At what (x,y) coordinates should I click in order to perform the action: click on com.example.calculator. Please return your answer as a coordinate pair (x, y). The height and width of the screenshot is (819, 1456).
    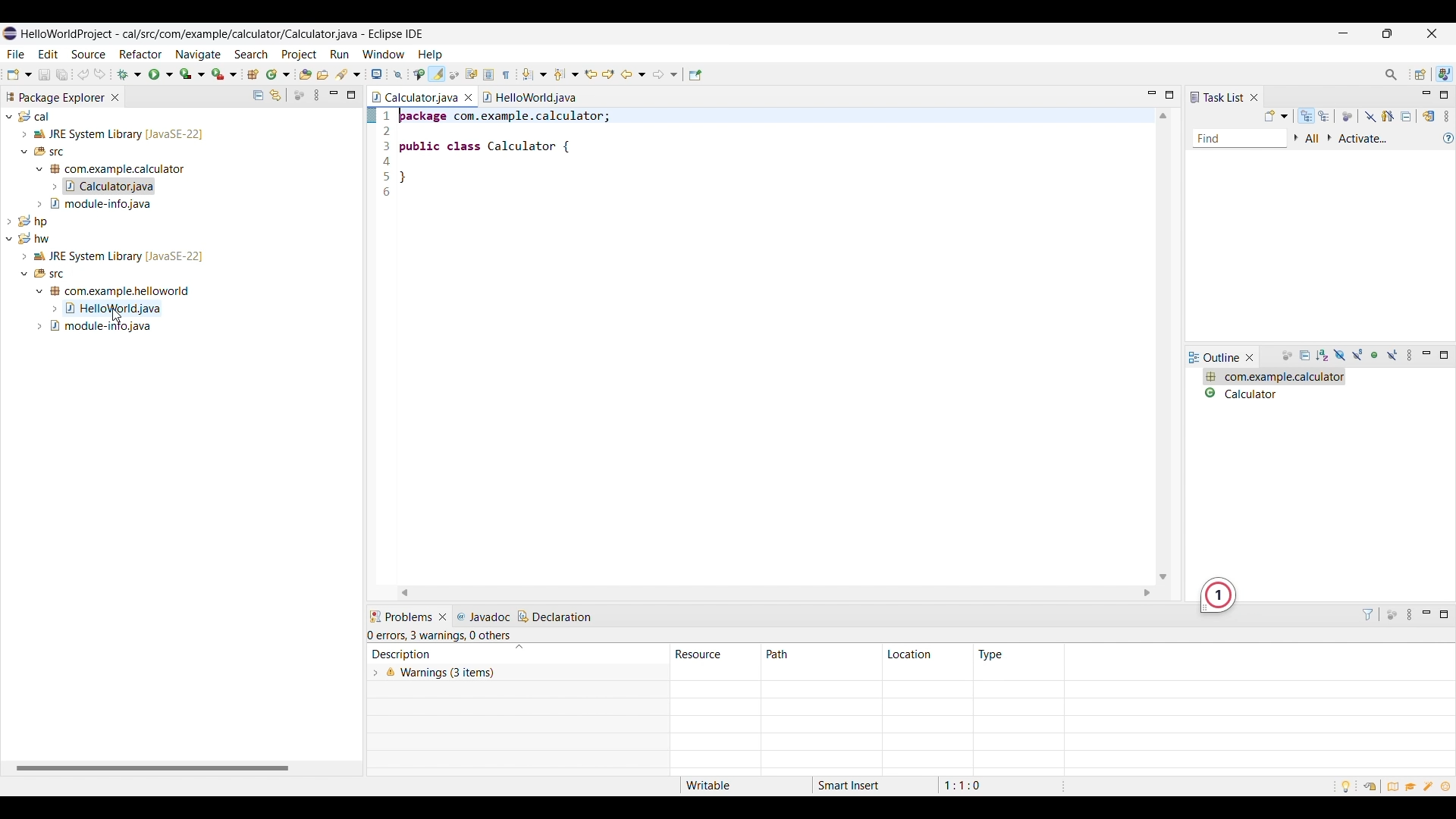
    Looking at the image, I should click on (1274, 377).